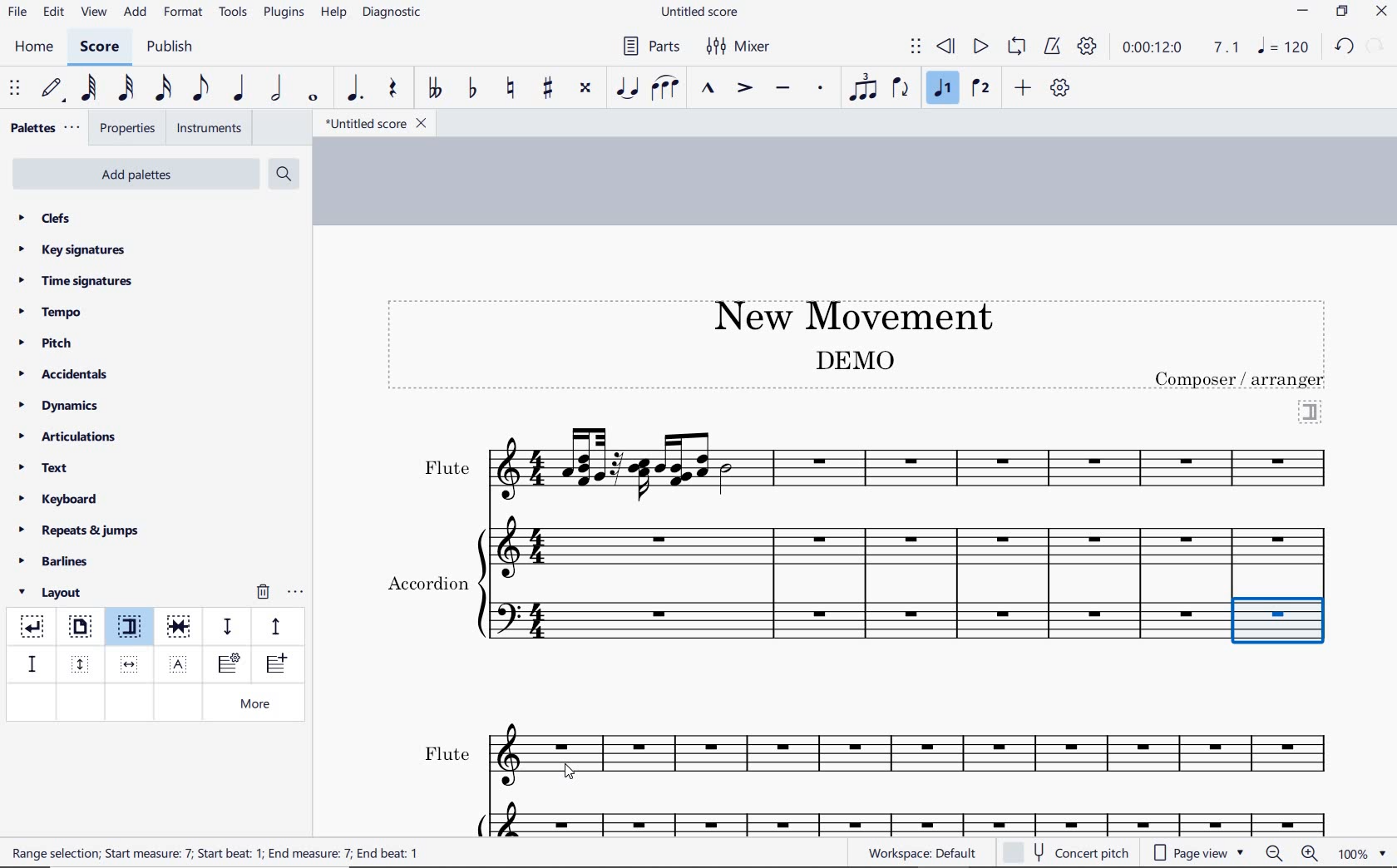  I want to click on close, so click(1381, 13).